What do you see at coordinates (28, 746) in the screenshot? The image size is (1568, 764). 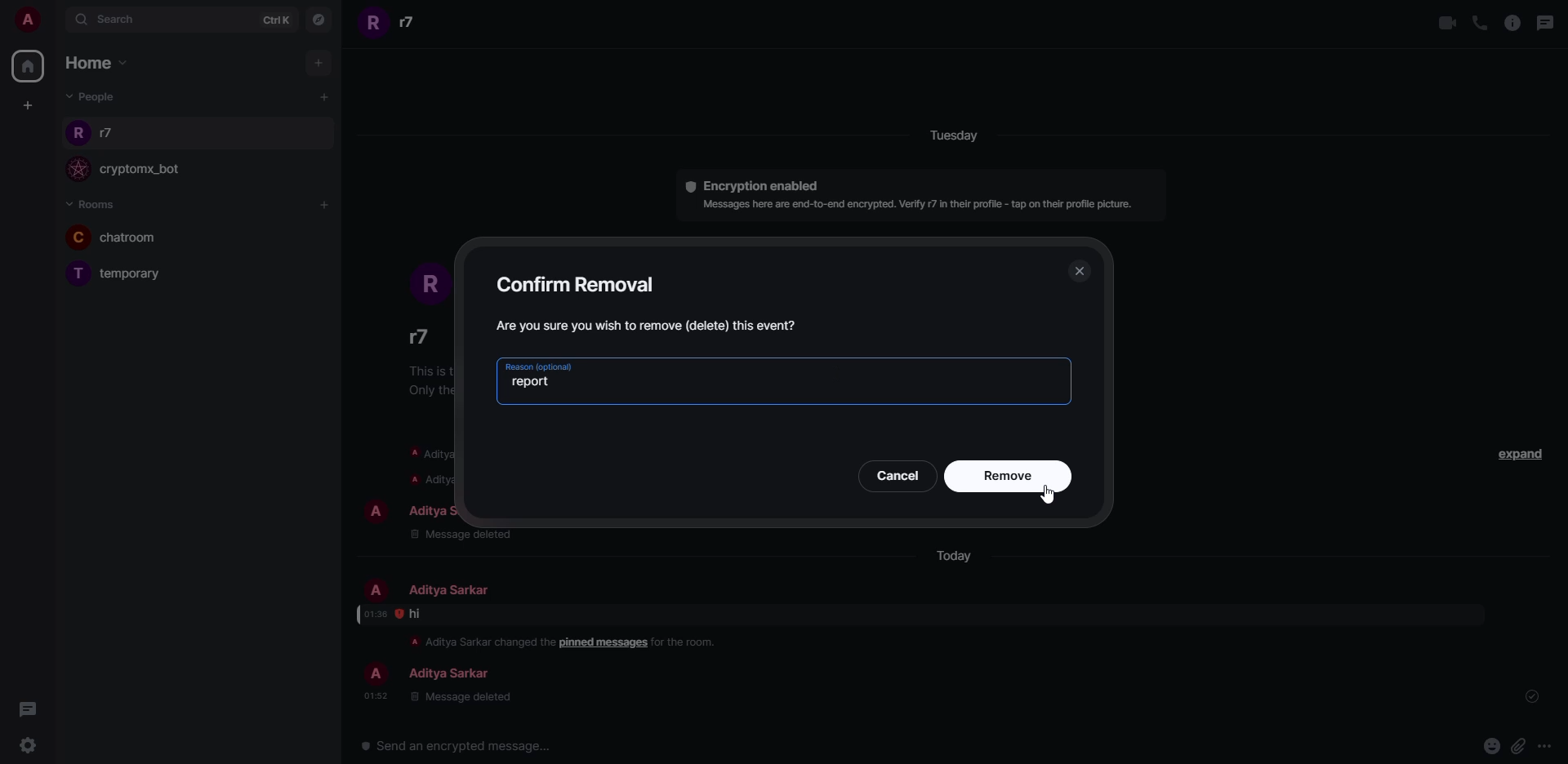 I see `settings` at bounding box center [28, 746].